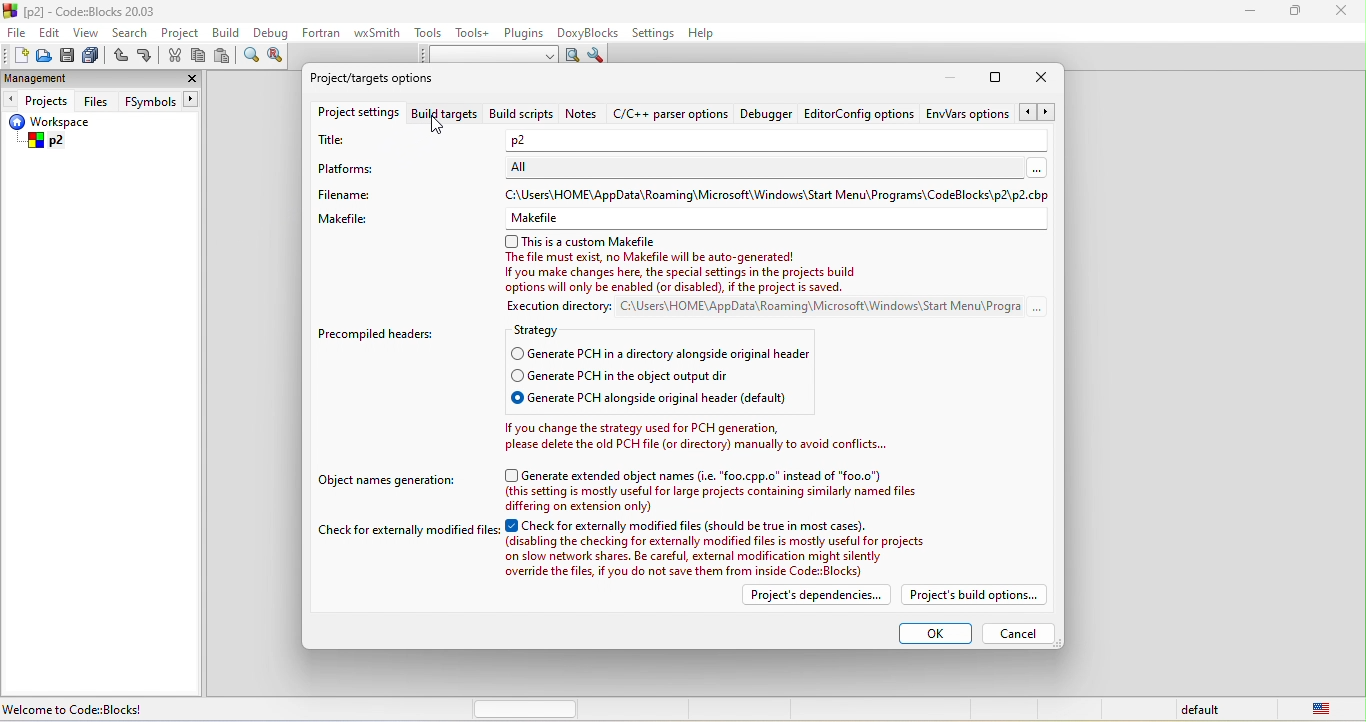 The width and height of the screenshot is (1366, 722). What do you see at coordinates (933, 634) in the screenshot?
I see `ok` at bounding box center [933, 634].